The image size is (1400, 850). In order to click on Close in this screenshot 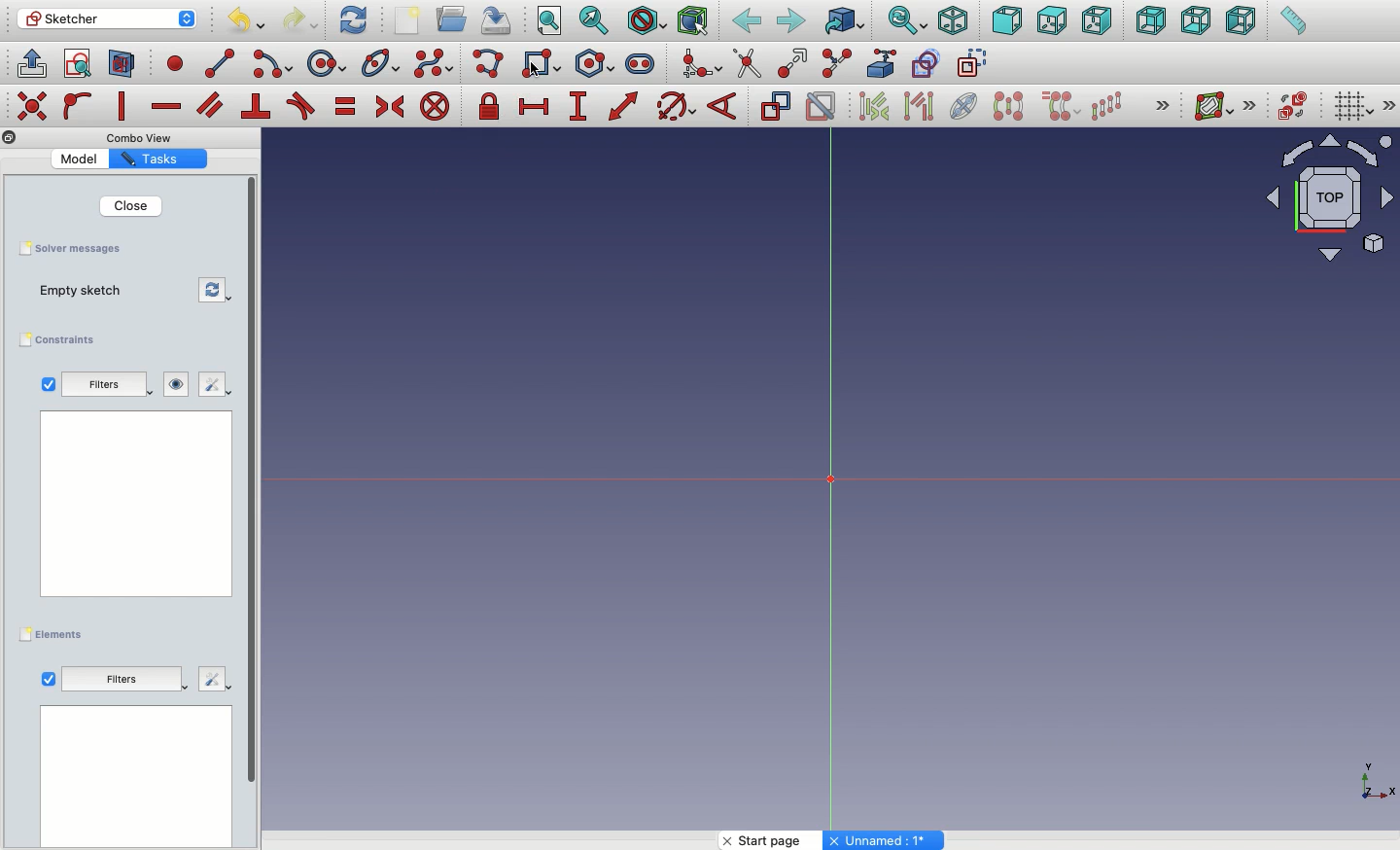, I will do `click(129, 205)`.